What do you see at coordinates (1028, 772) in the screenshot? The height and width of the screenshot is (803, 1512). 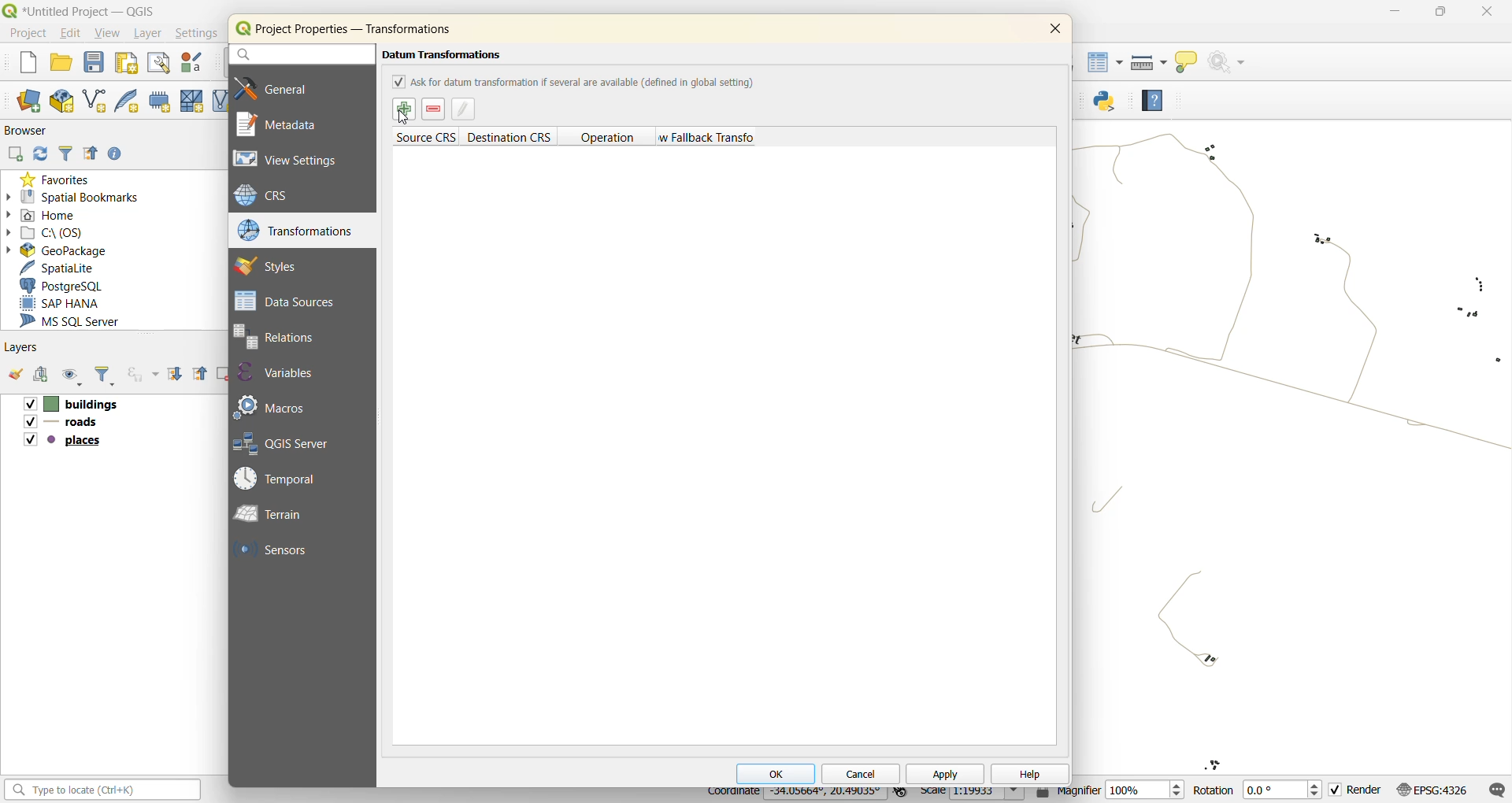 I see `help` at bounding box center [1028, 772].